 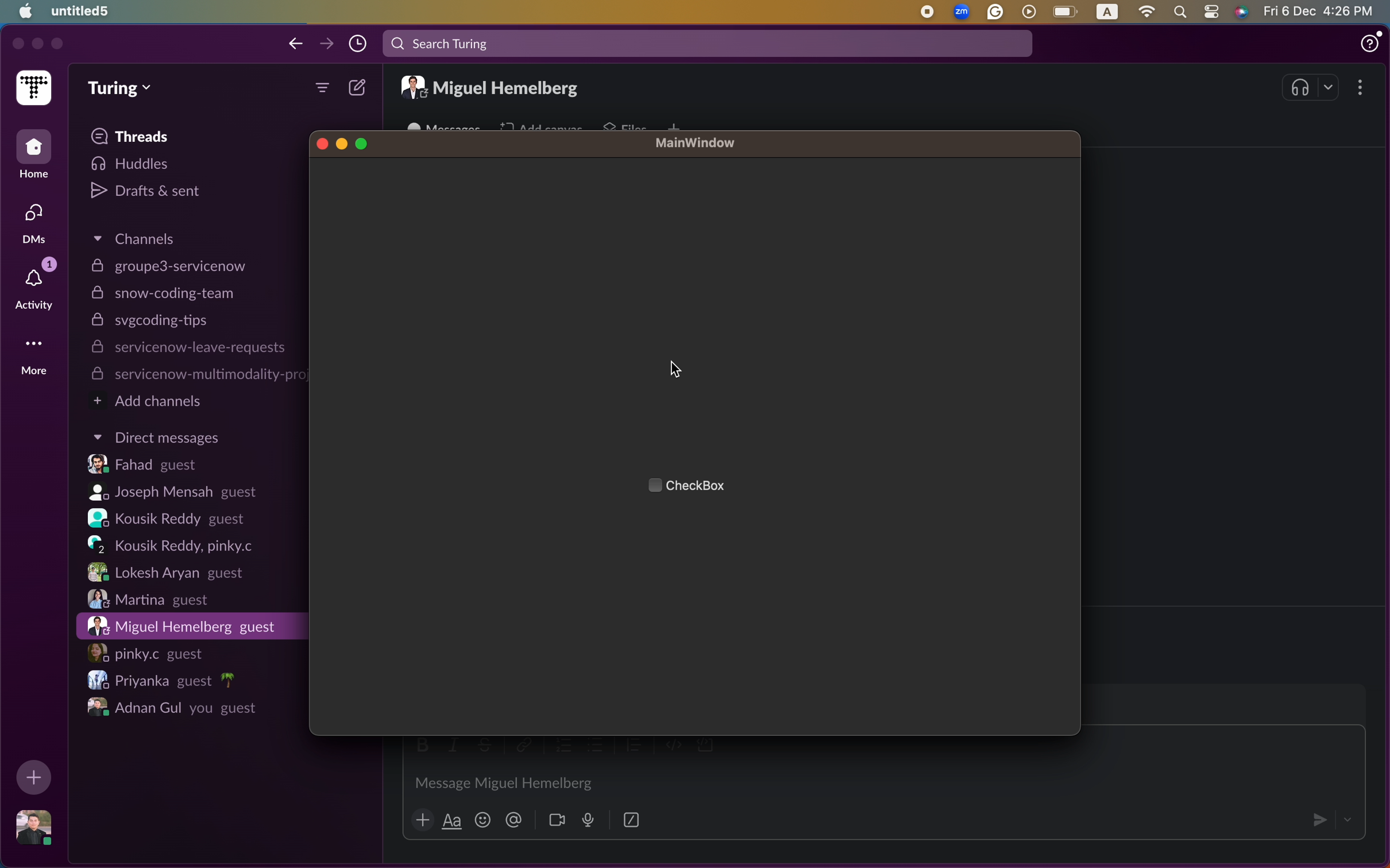 I want to click on Fahad, so click(x=148, y=466).